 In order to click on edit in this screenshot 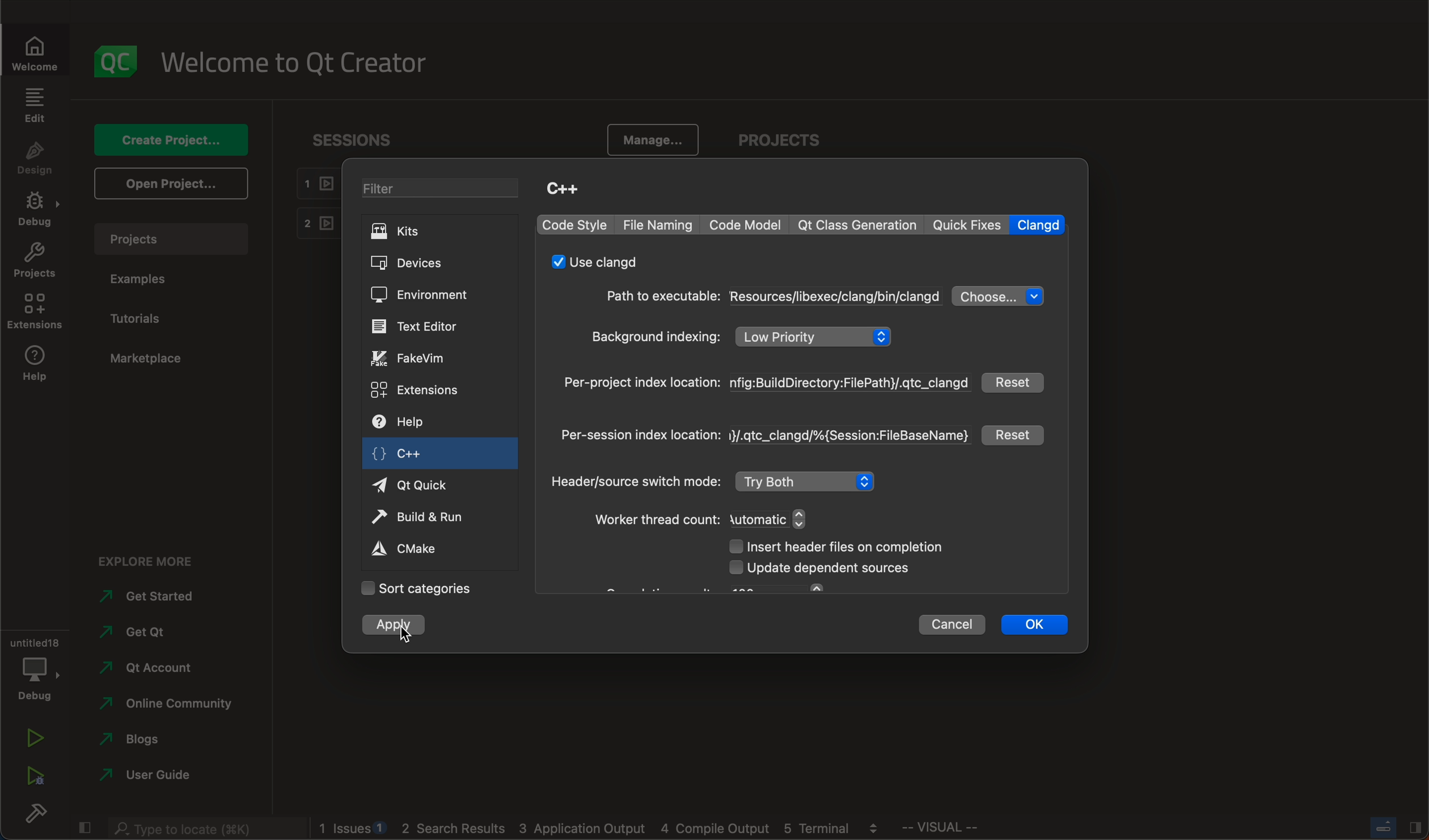, I will do `click(34, 105)`.